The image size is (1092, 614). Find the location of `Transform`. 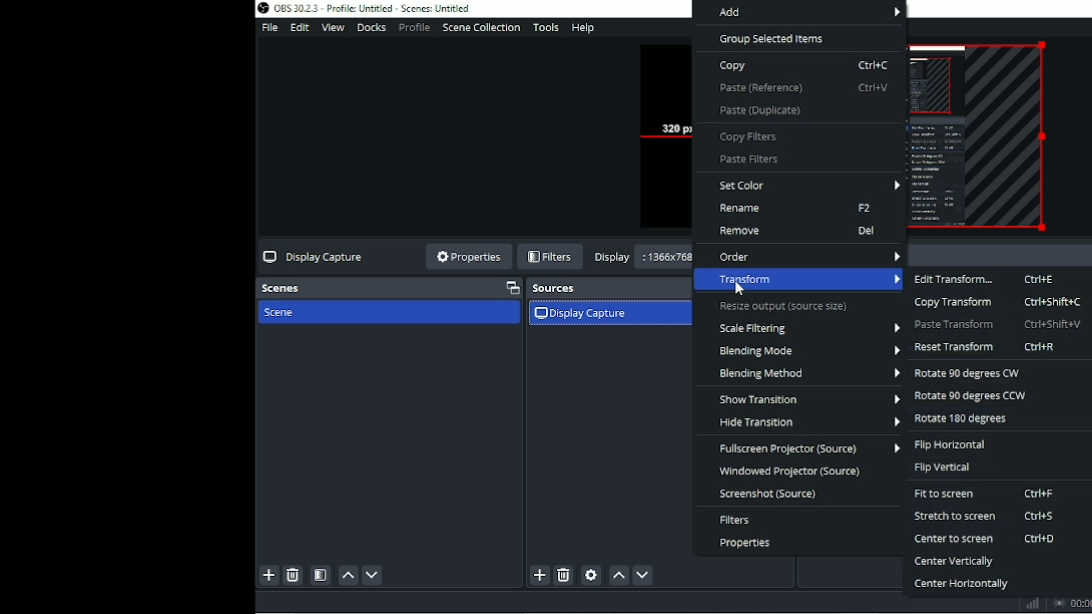

Transform is located at coordinates (799, 280).